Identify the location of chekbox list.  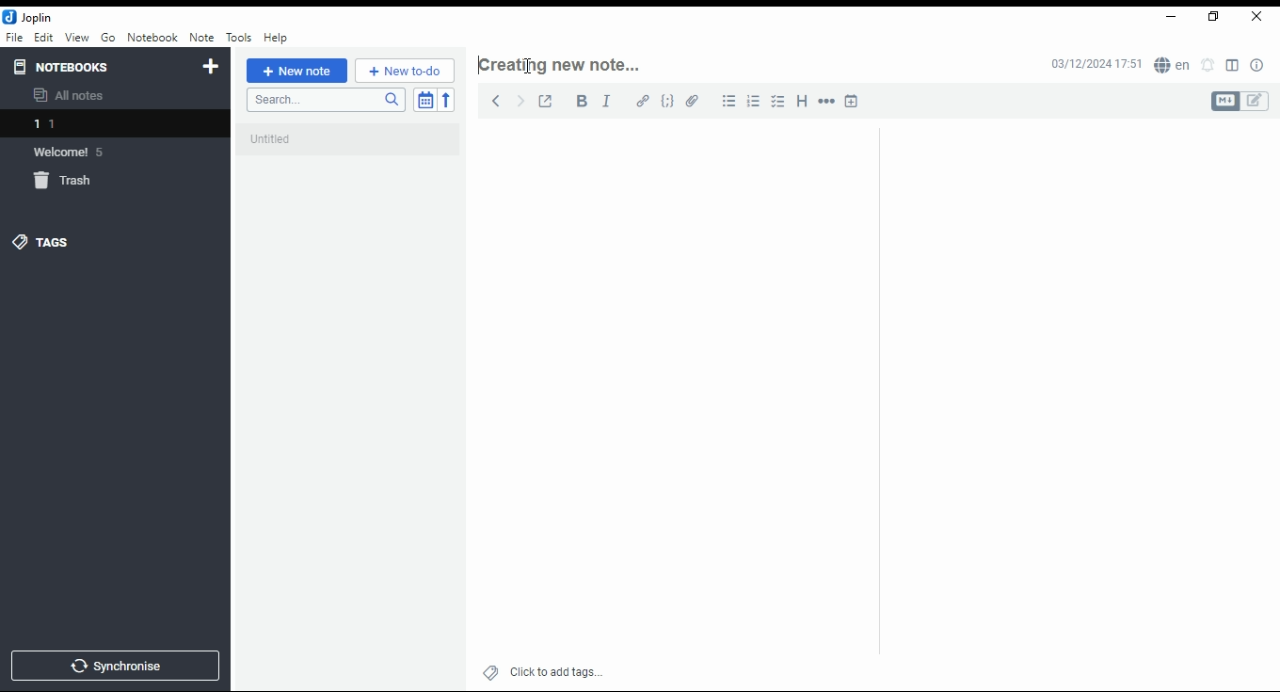
(779, 101).